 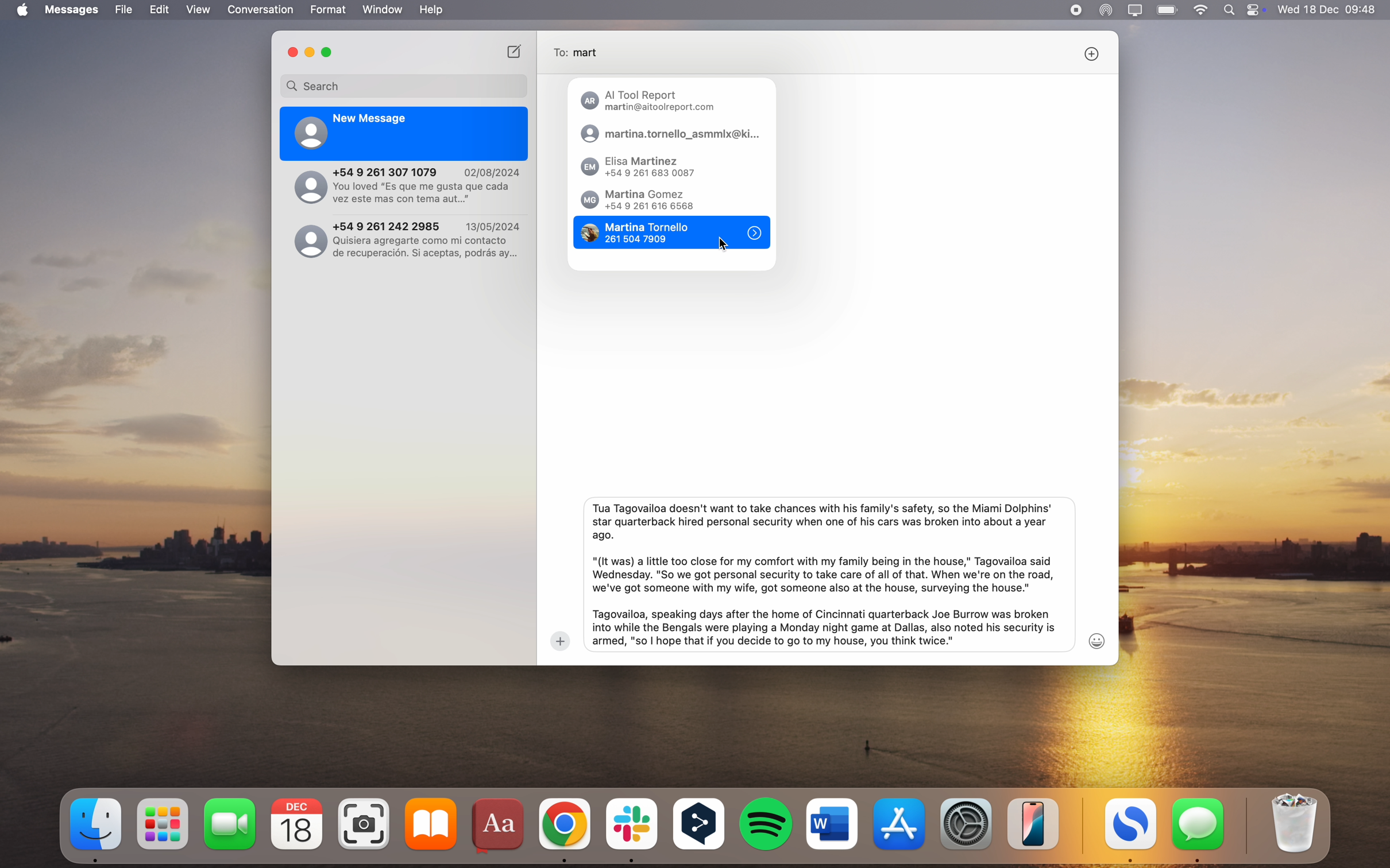 What do you see at coordinates (515, 51) in the screenshot?
I see `new message` at bounding box center [515, 51].